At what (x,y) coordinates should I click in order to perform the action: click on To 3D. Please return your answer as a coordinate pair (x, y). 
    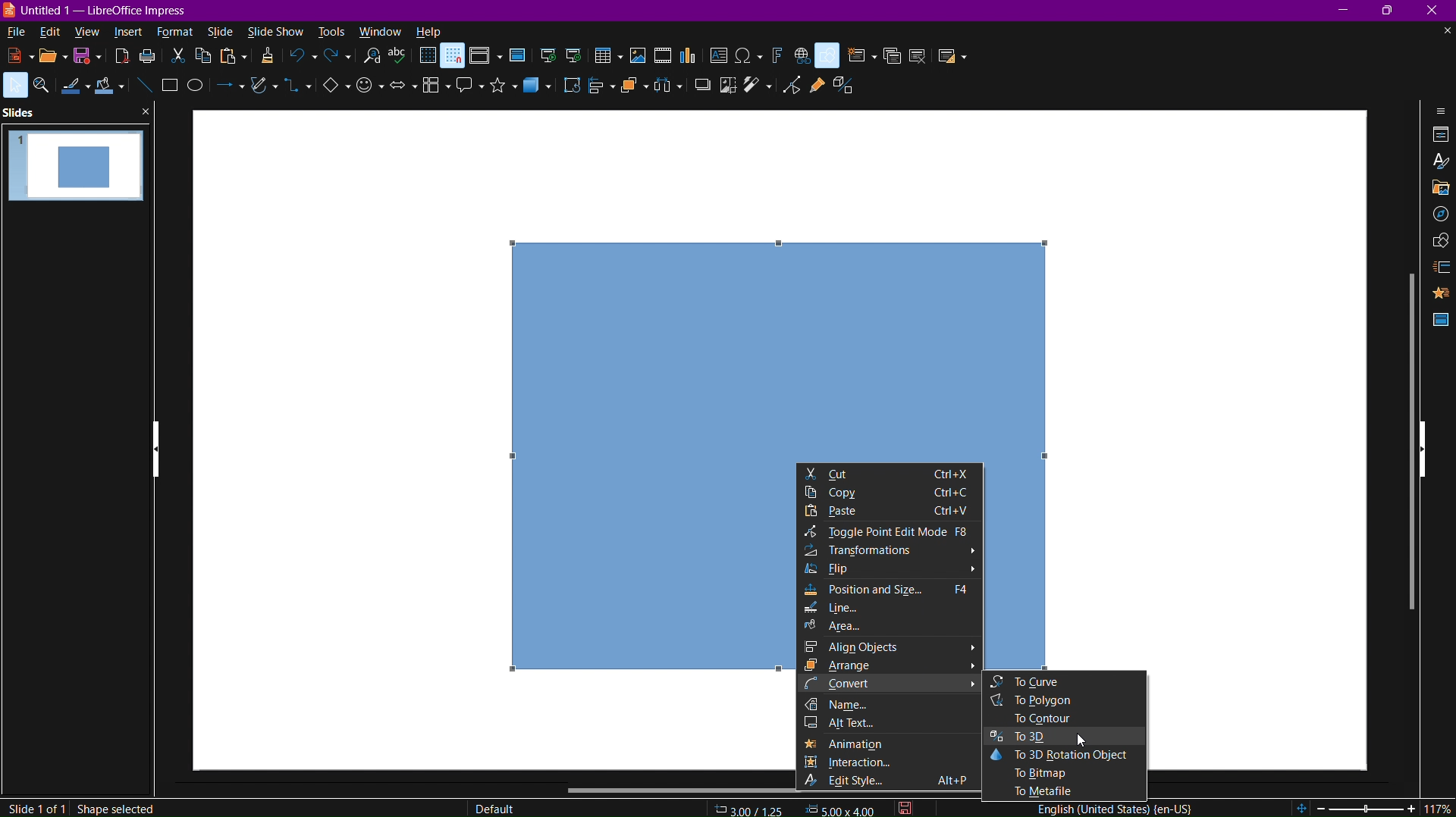
    Looking at the image, I should click on (1068, 739).